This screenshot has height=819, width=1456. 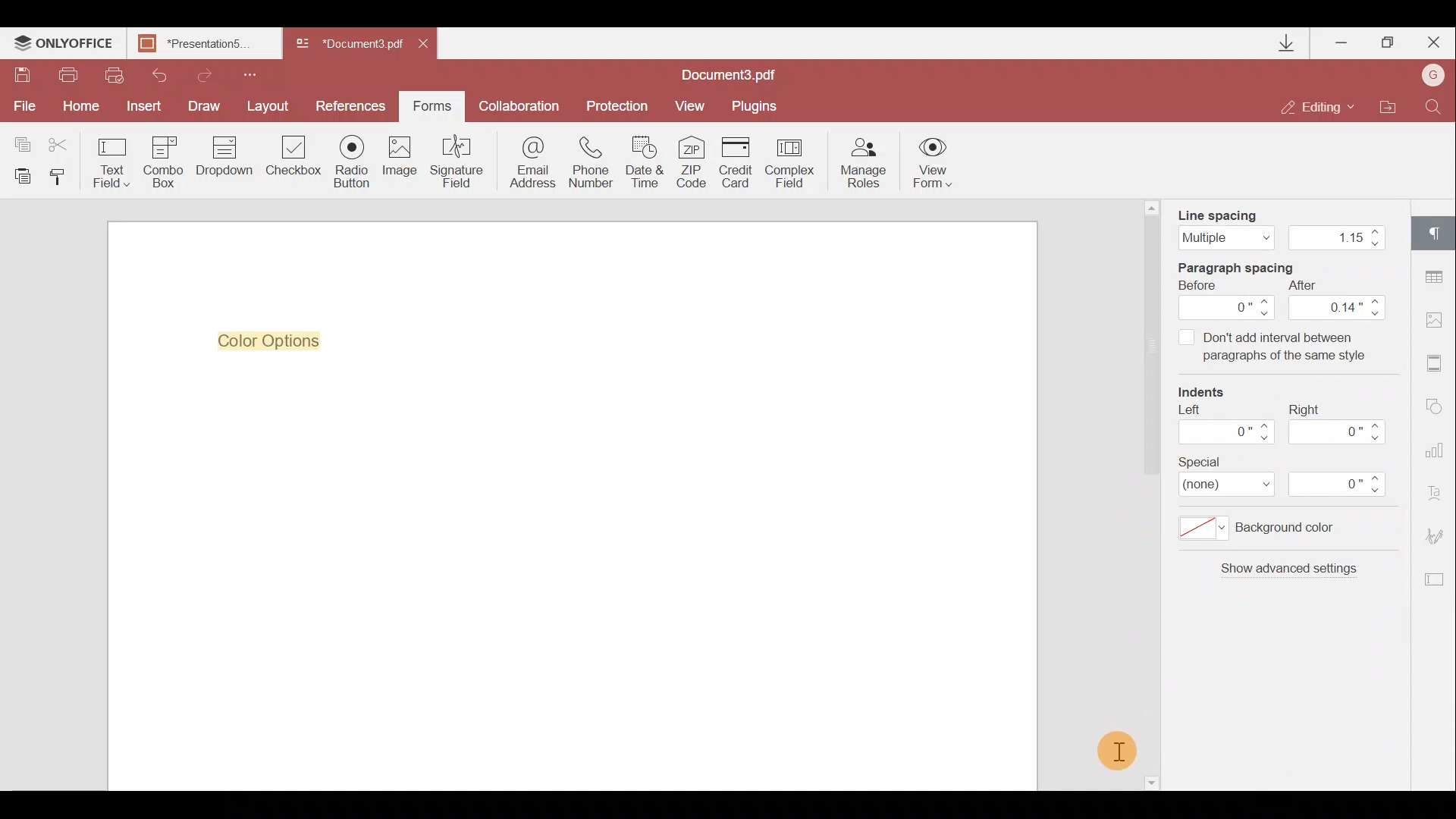 What do you see at coordinates (403, 161) in the screenshot?
I see `Image` at bounding box center [403, 161].